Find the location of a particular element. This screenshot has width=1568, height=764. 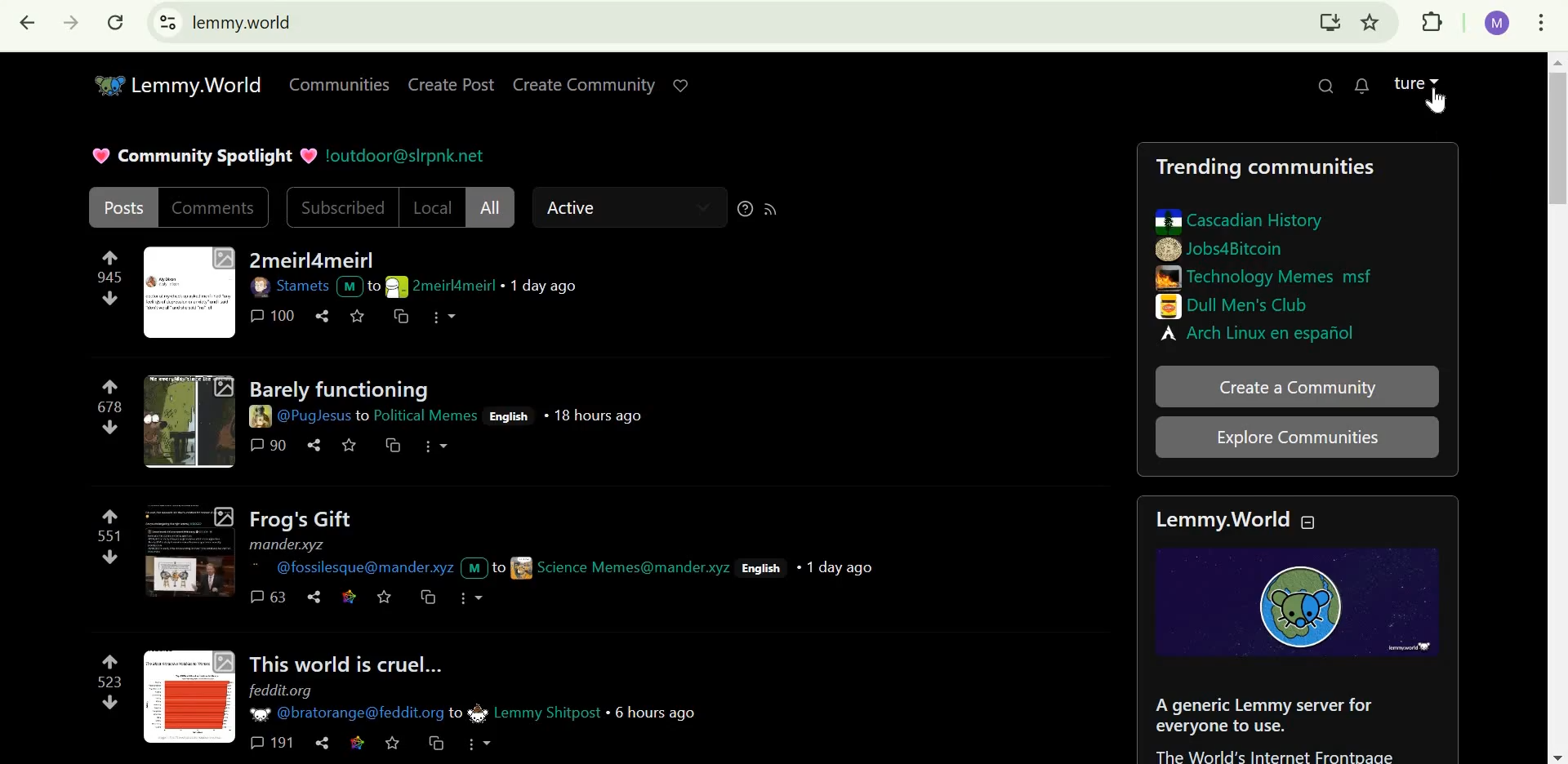

523 points is located at coordinates (107, 682).